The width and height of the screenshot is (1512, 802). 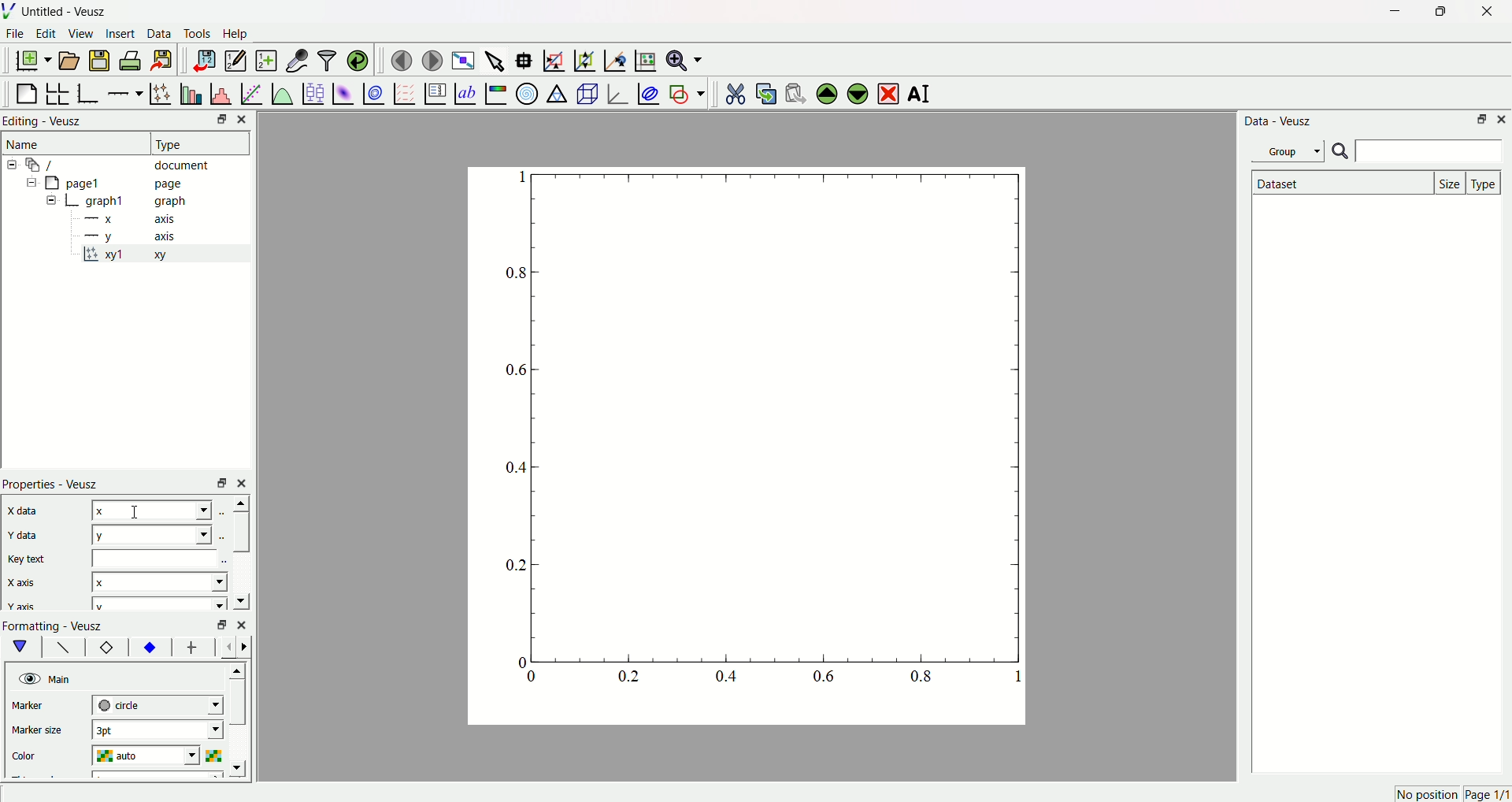 I want to click on collapse, so click(x=14, y=165).